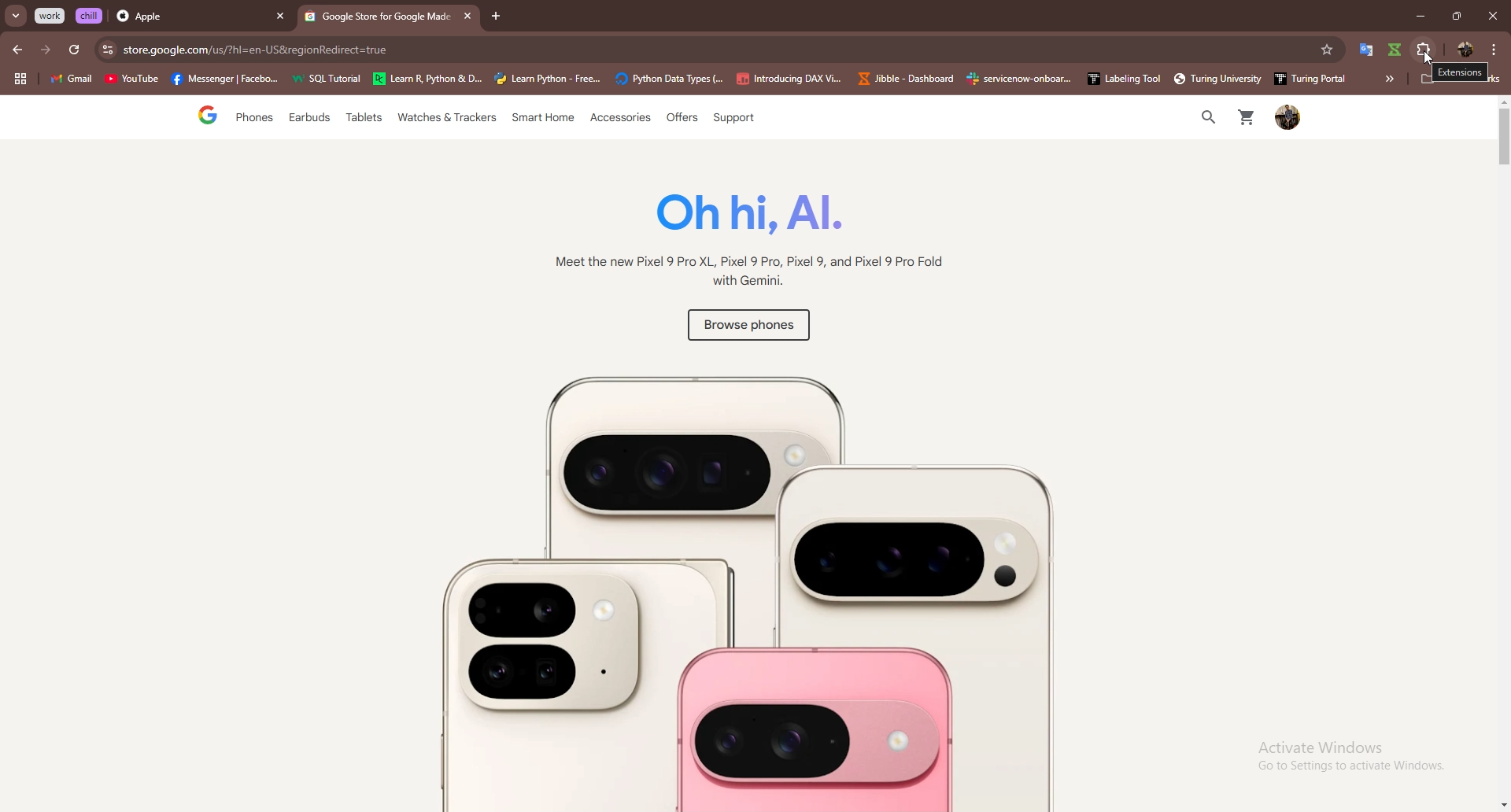  Describe the element at coordinates (740, 244) in the screenshot. I see `Oh ni, Al.
Meet the new Pixel 9 Pro XL, Pixel 9 Pro, Pixel 9, and Pixel 9 Pro Fold
with Gemini.` at that location.